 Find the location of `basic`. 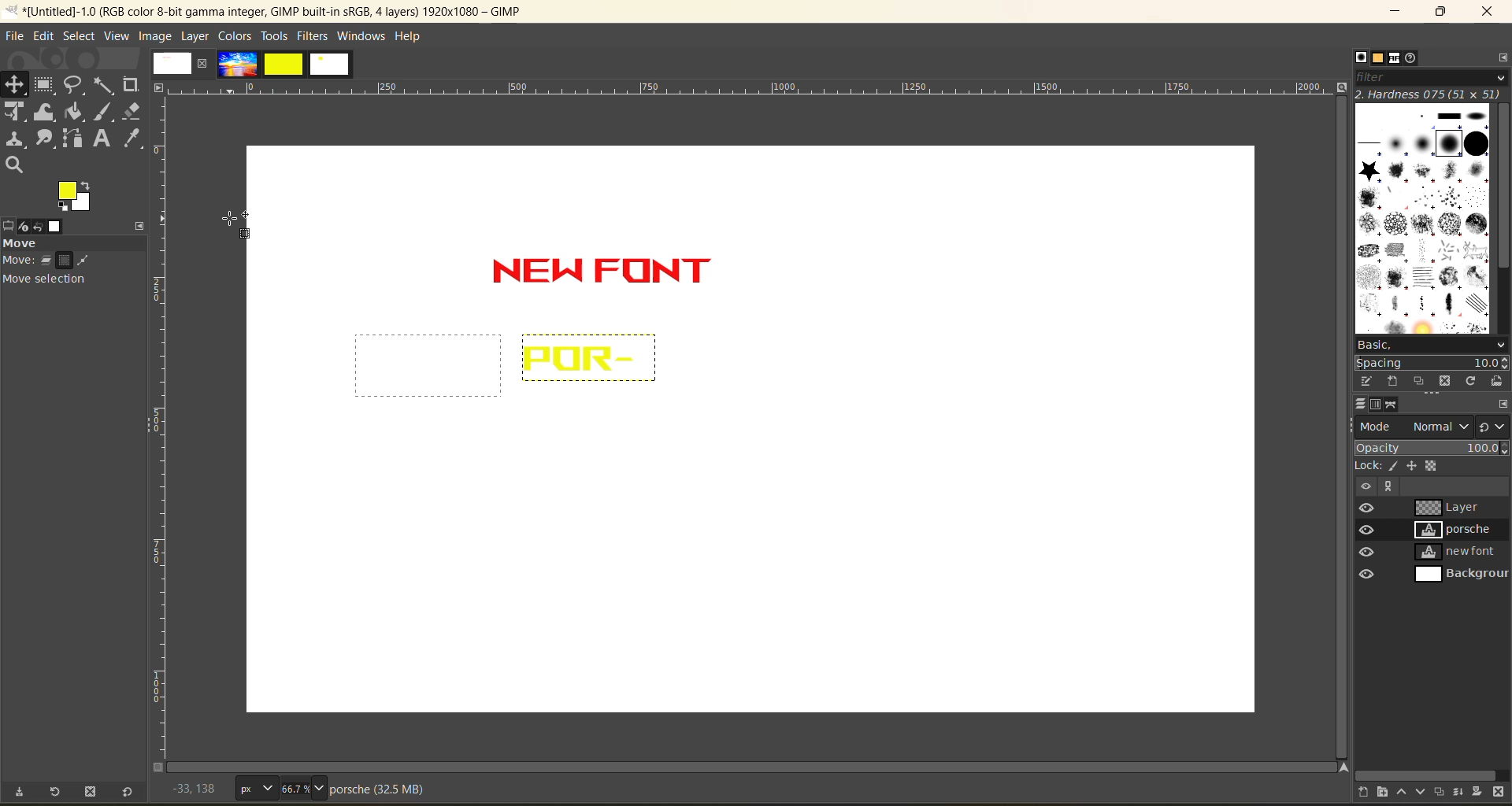

basic is located at coordinates (1432, 343).